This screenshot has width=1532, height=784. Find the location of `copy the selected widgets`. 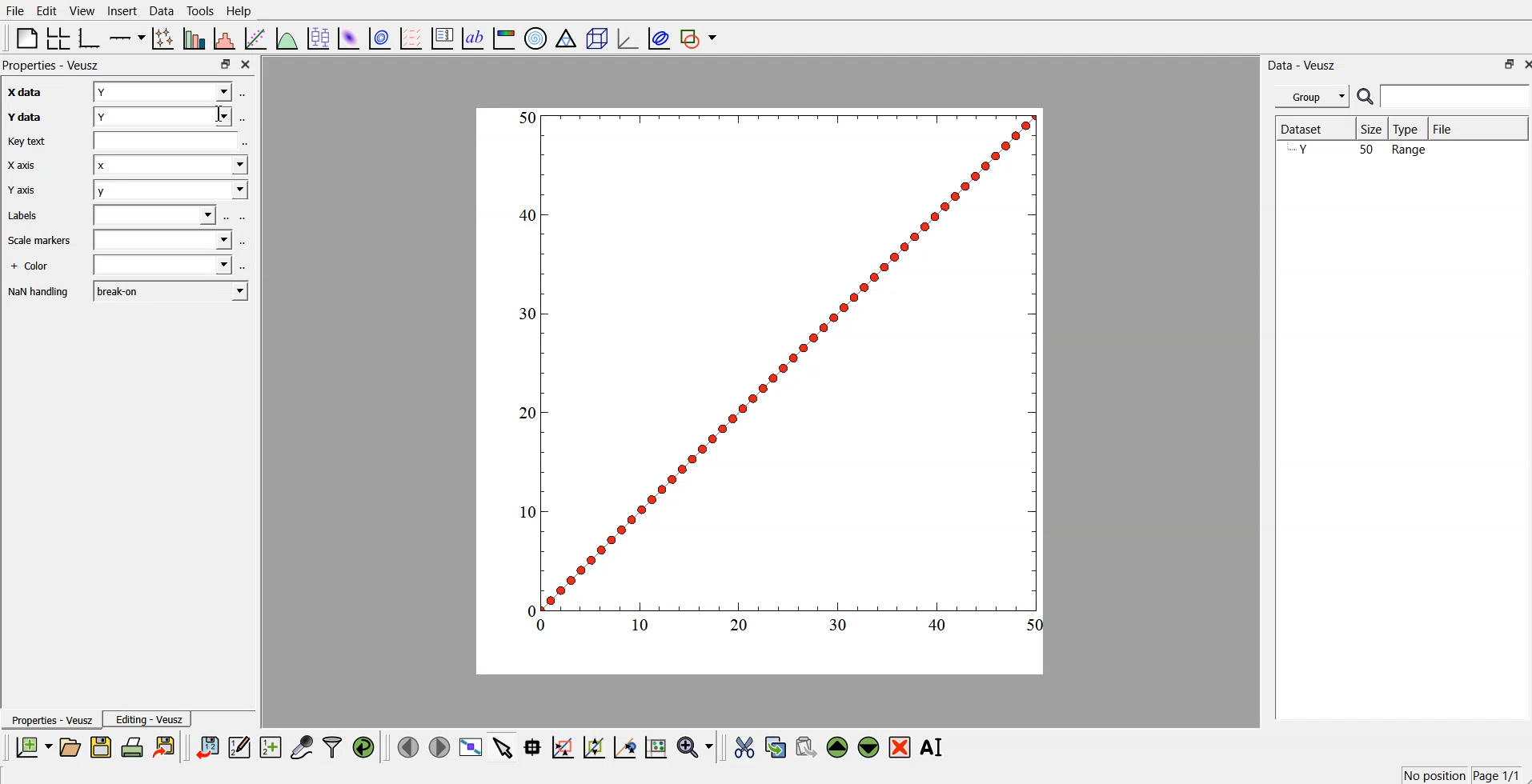

copy the selected widgets is located at coordinates (776, 748).